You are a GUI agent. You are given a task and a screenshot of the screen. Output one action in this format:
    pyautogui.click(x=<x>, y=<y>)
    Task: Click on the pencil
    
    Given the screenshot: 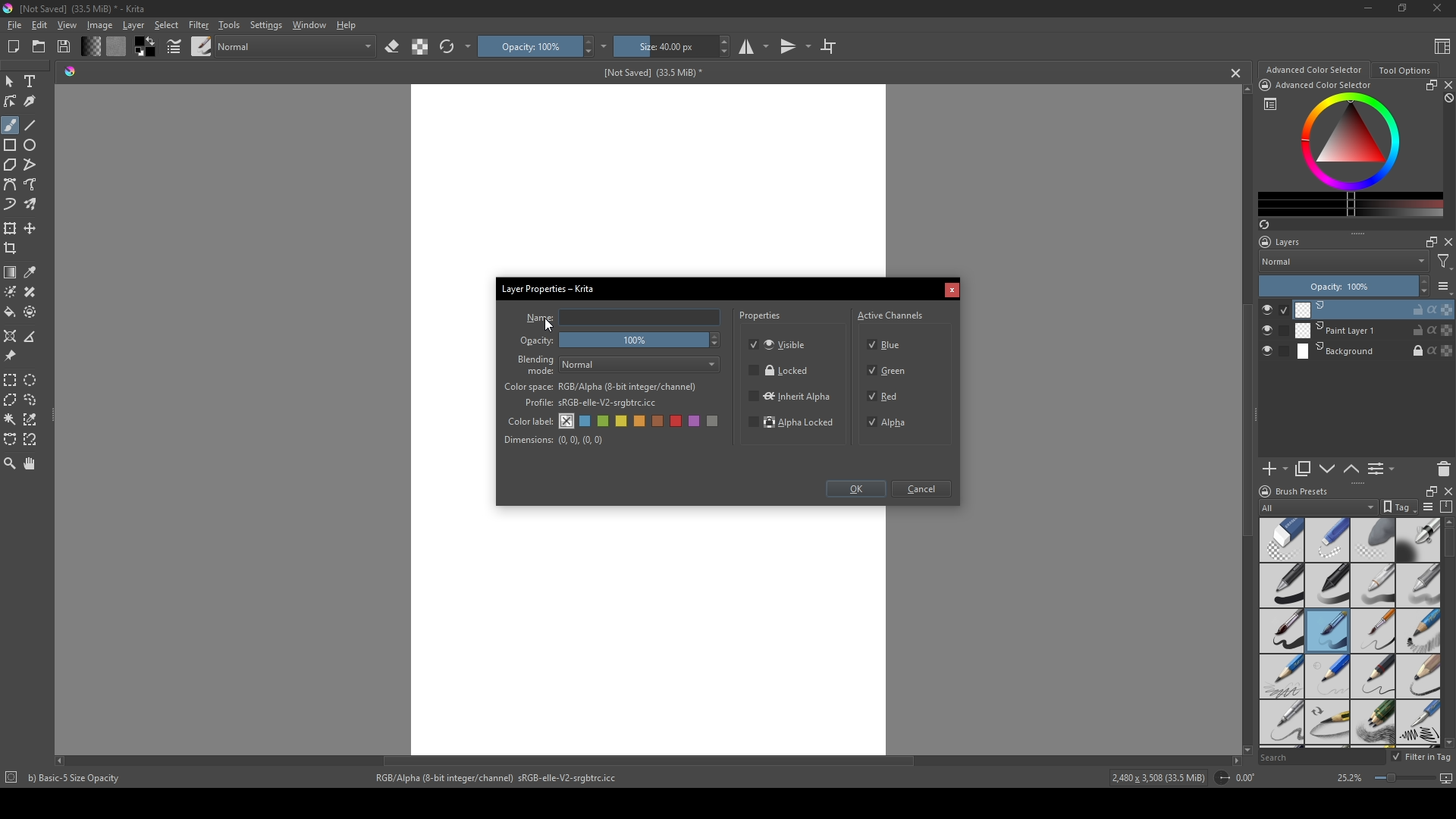 What is the action you would take?
    pyautogui.click(x=1326, y=676)
    